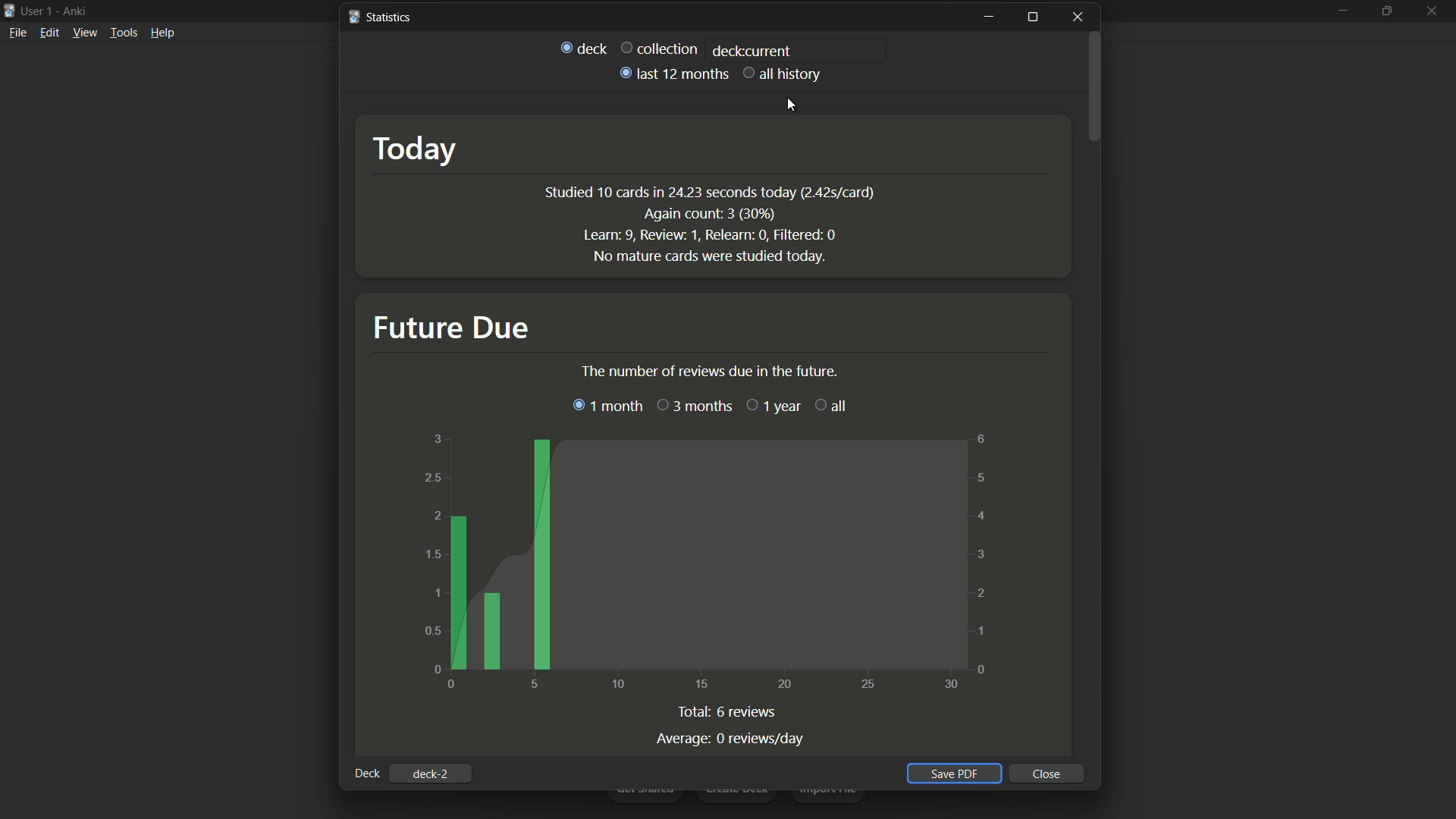 The image size is (1456, 819). What do you see at coordinates (451, 326) in the screenshot?
I see `Future due` at bounding box center [451, 326].